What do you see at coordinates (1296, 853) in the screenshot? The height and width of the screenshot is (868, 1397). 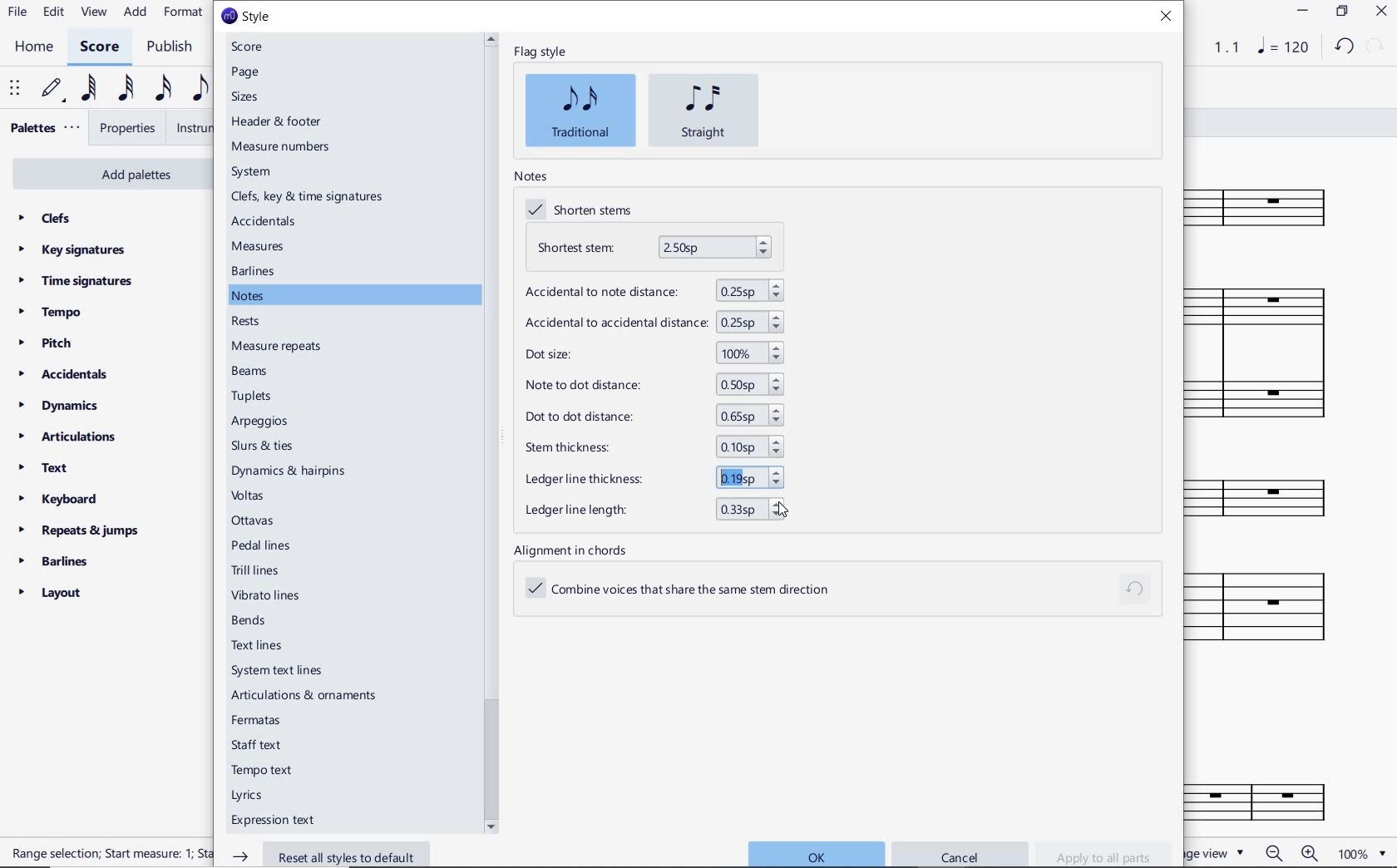 I see `zoom in or zoom out` at bounding box center [1296, 853].